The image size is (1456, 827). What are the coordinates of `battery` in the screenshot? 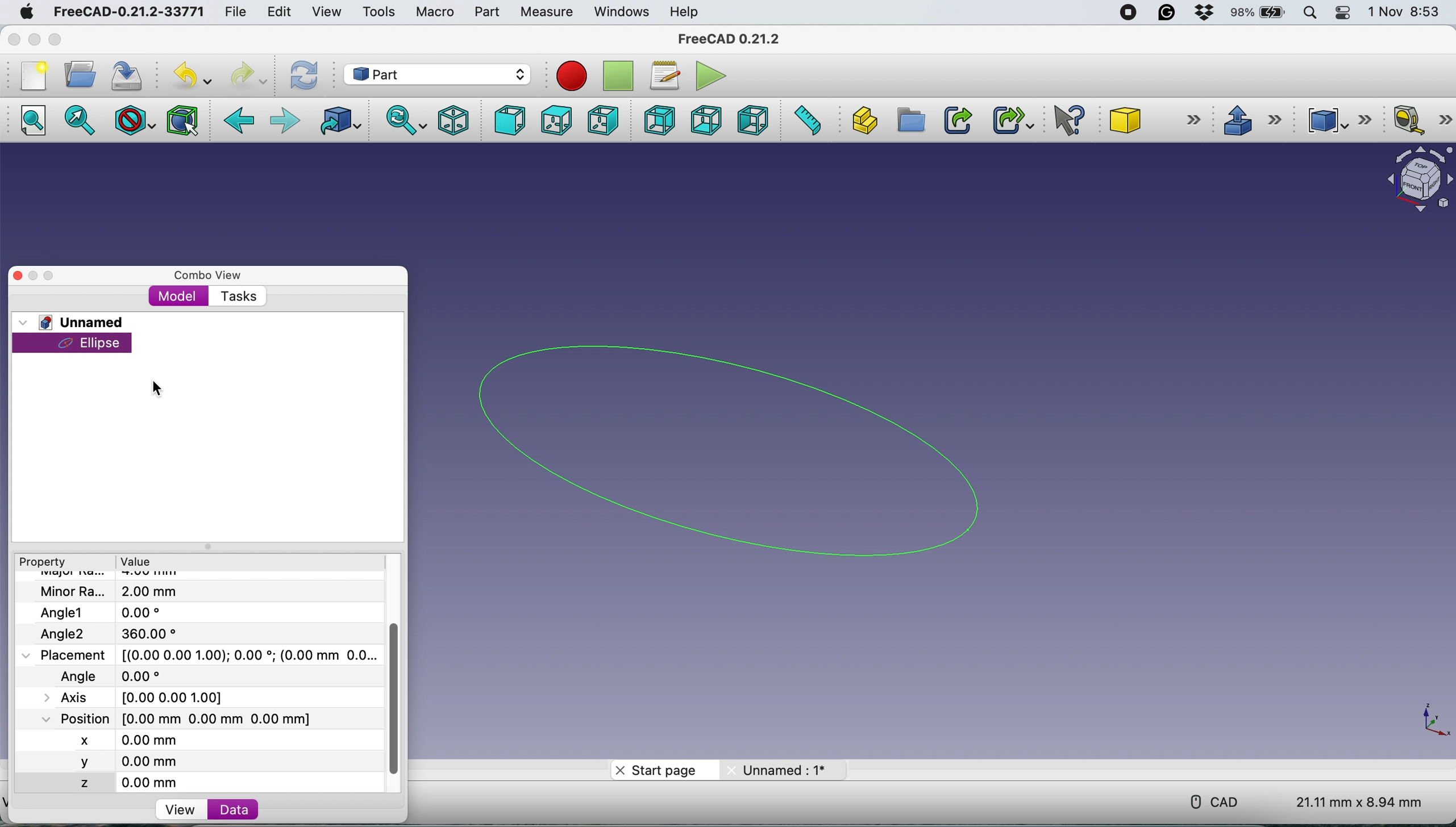 It's located at (1257, 14).